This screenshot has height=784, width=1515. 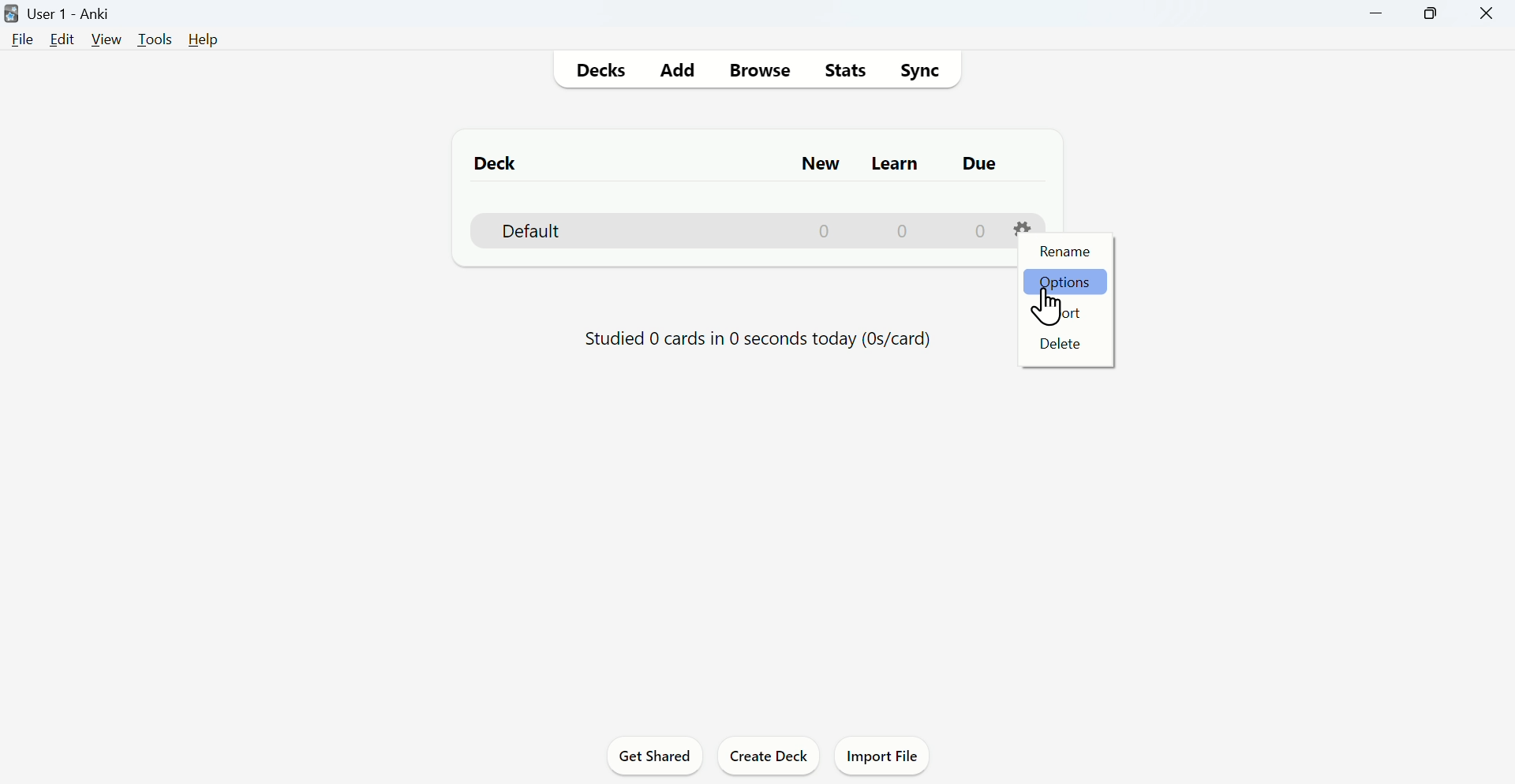 I want to click on Help, so click(x=204, y=39).